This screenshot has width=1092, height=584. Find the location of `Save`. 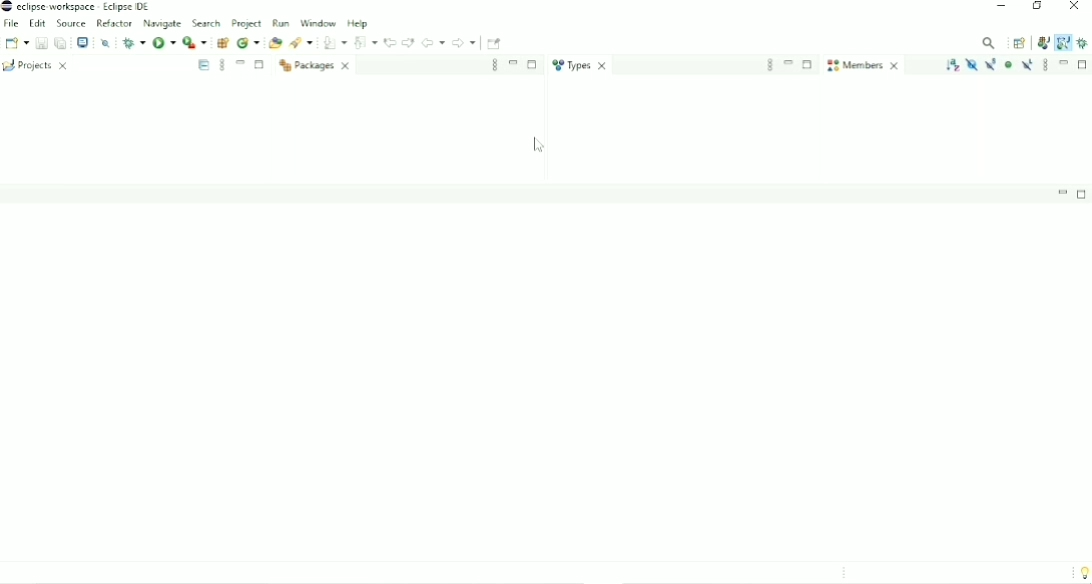

Save is located at coordinates (40, 43).